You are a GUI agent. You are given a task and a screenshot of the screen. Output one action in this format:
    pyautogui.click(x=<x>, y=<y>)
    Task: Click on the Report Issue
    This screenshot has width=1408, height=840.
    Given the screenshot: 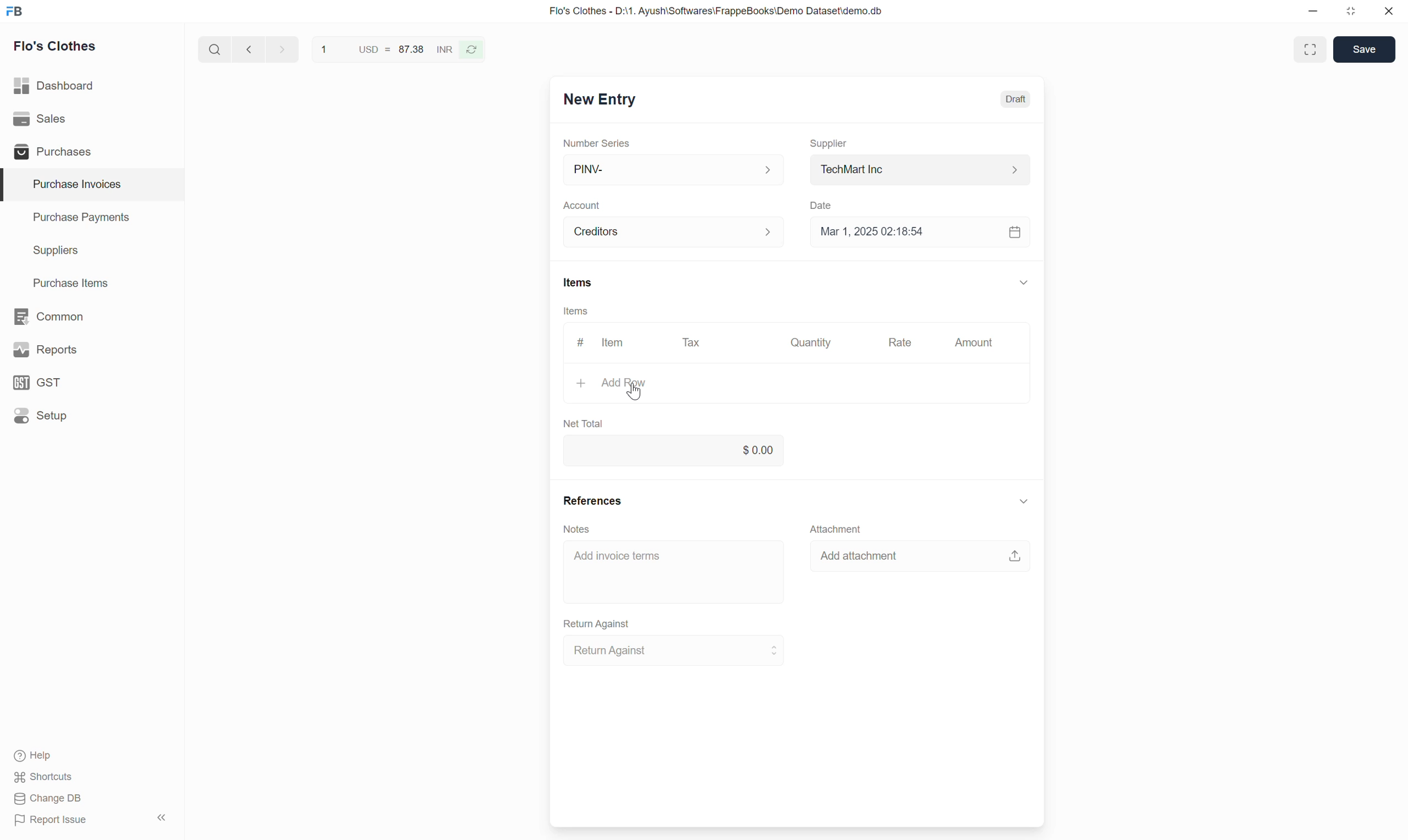 What is the action you would take?
    pyautogui.click(x=52, y=820)
    